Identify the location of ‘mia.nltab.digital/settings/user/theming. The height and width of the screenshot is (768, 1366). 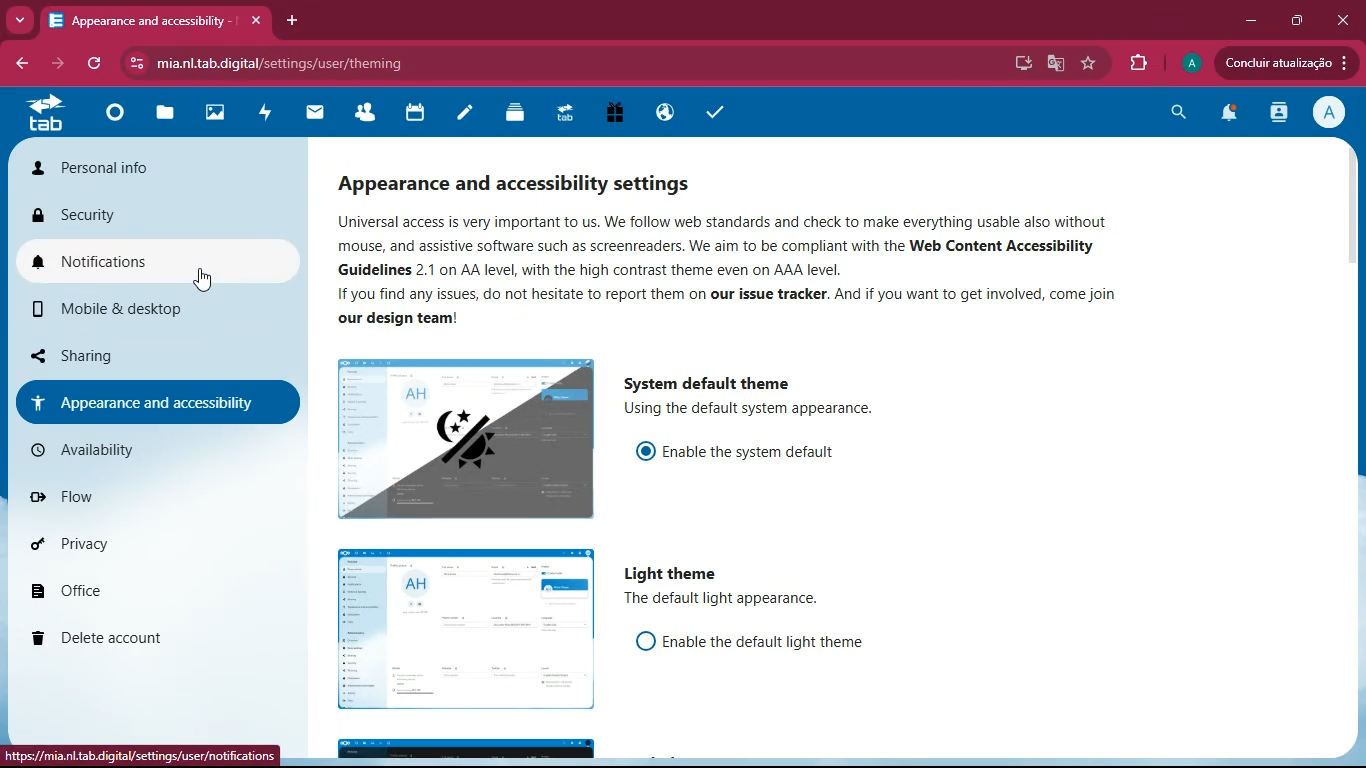
(283, 64).